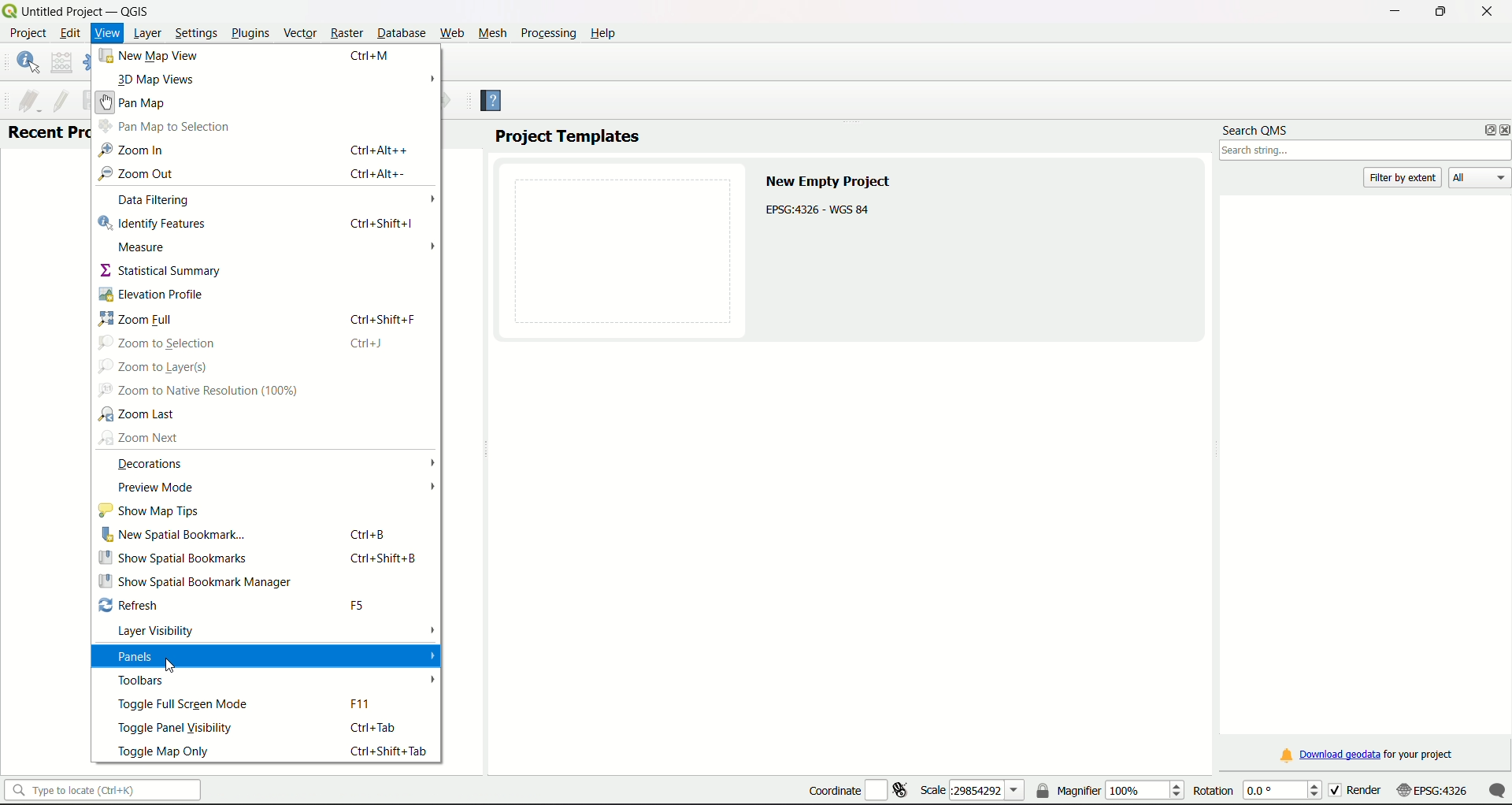 This screenshot has width=1512, height=805. Describe the element at coordinates (62, 61) in the screenshot. I see `open field calculator` at that location.